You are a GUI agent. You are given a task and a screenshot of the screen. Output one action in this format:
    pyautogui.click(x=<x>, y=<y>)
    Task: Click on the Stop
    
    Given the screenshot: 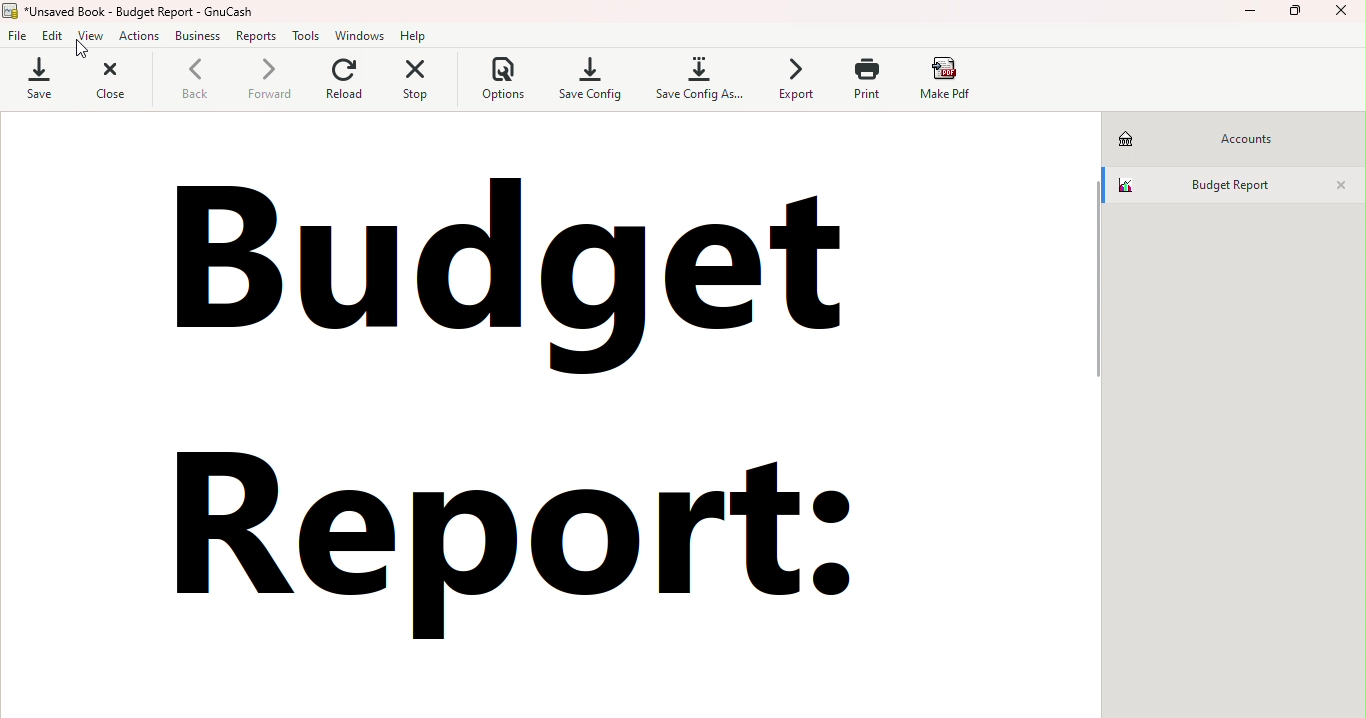 What is the action you would take?
    pyautogui.click(x=414, y=81)
    